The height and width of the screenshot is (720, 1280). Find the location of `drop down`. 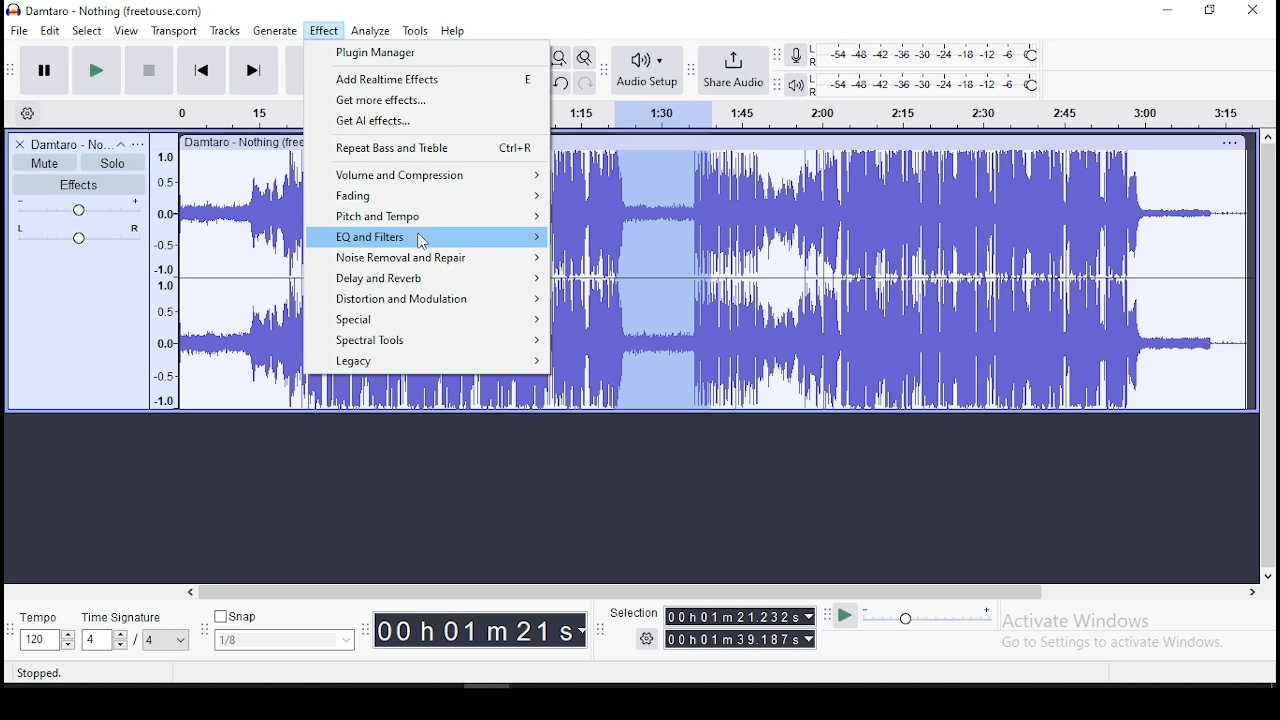

drop down is located at coordinates (344, 640).